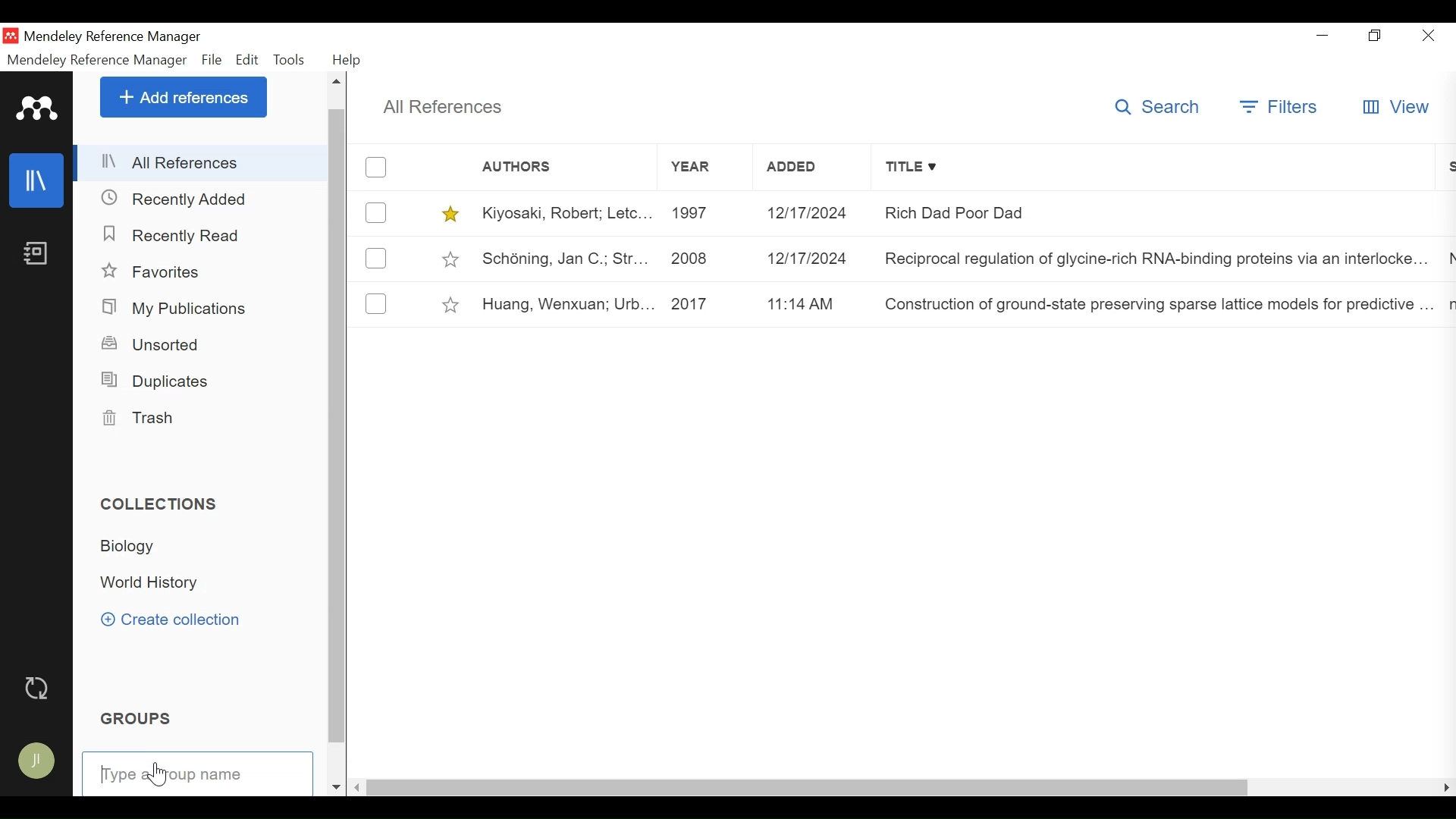 The height and width of the screenshot is (819, 1456). I want to click on Authors, so click(547, 168).